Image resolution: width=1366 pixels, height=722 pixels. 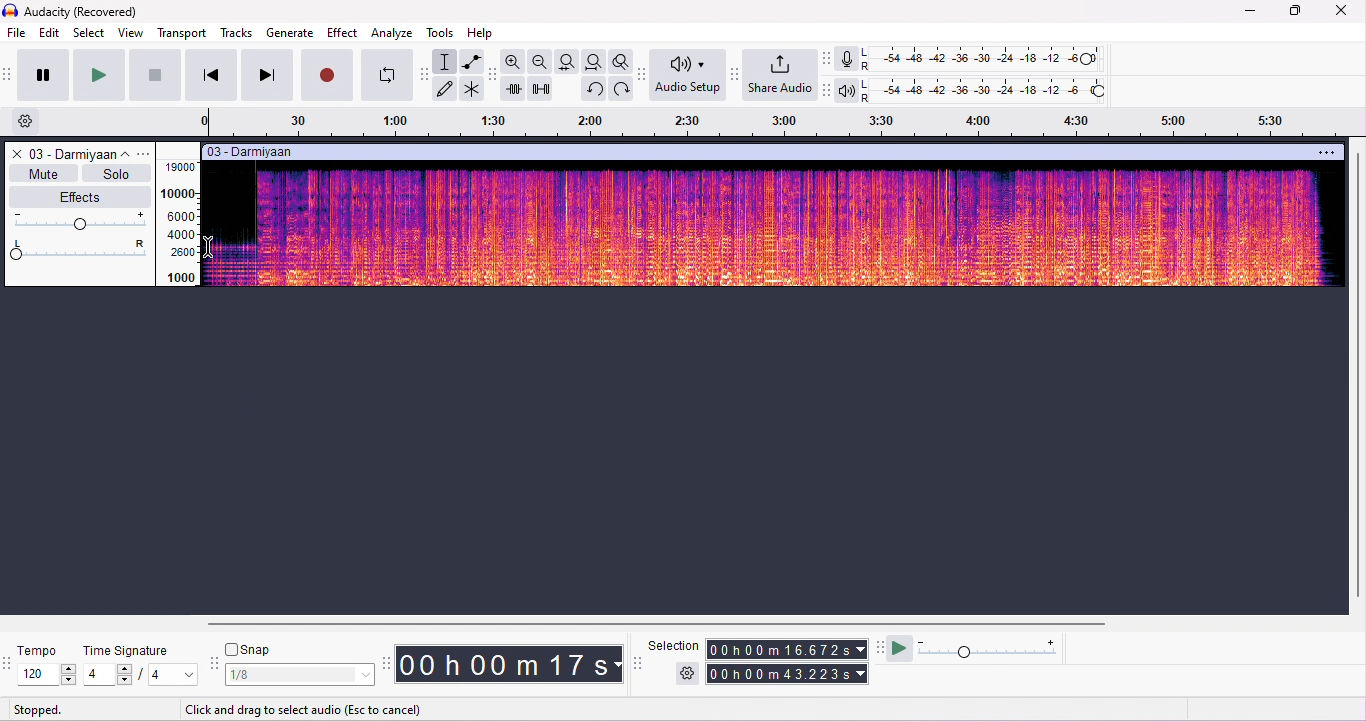 I want to click on record meter , so click(x=846, y=59).